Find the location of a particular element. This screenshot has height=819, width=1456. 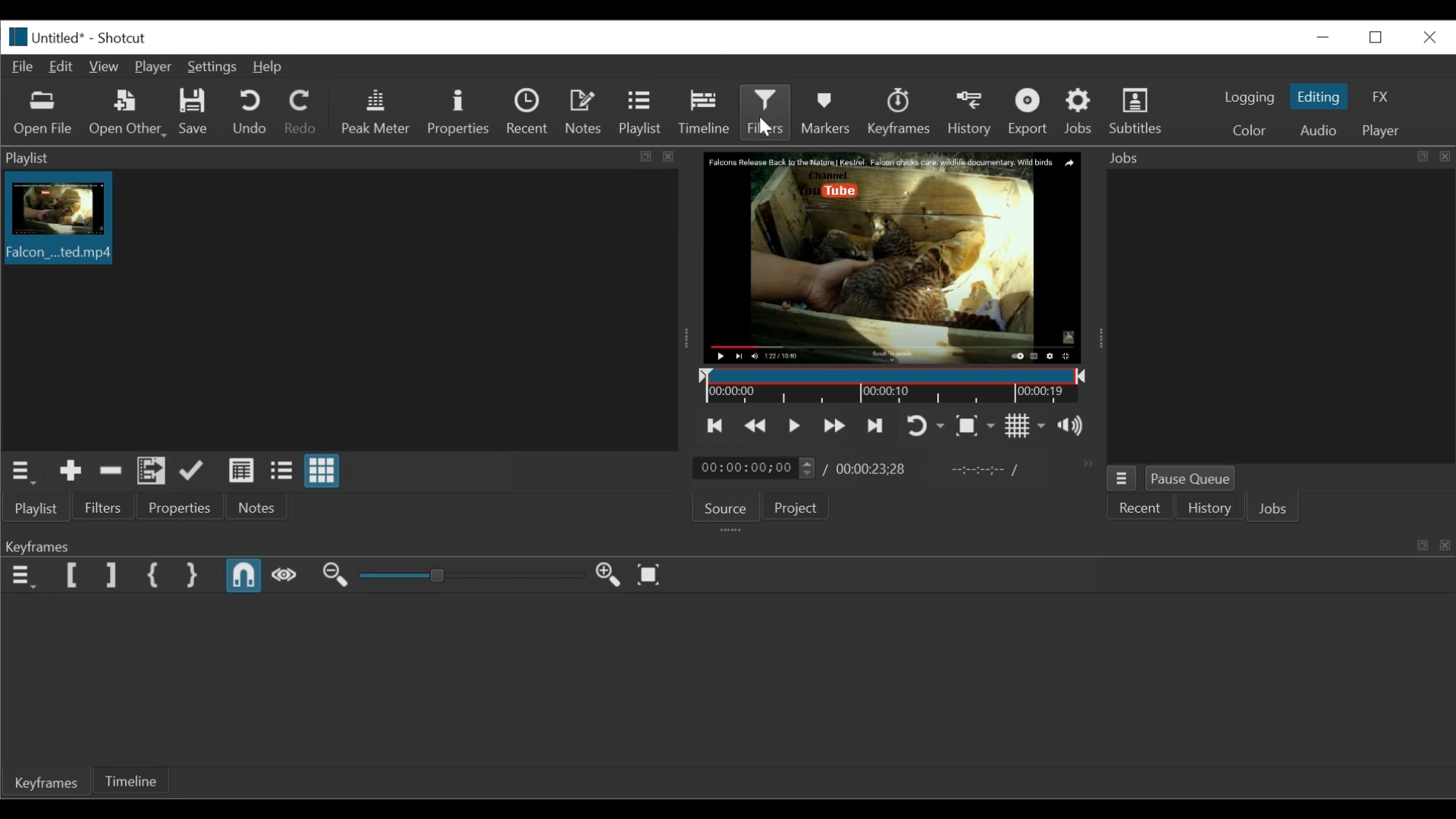

Set Filter First is located at coordinates (74, 576).